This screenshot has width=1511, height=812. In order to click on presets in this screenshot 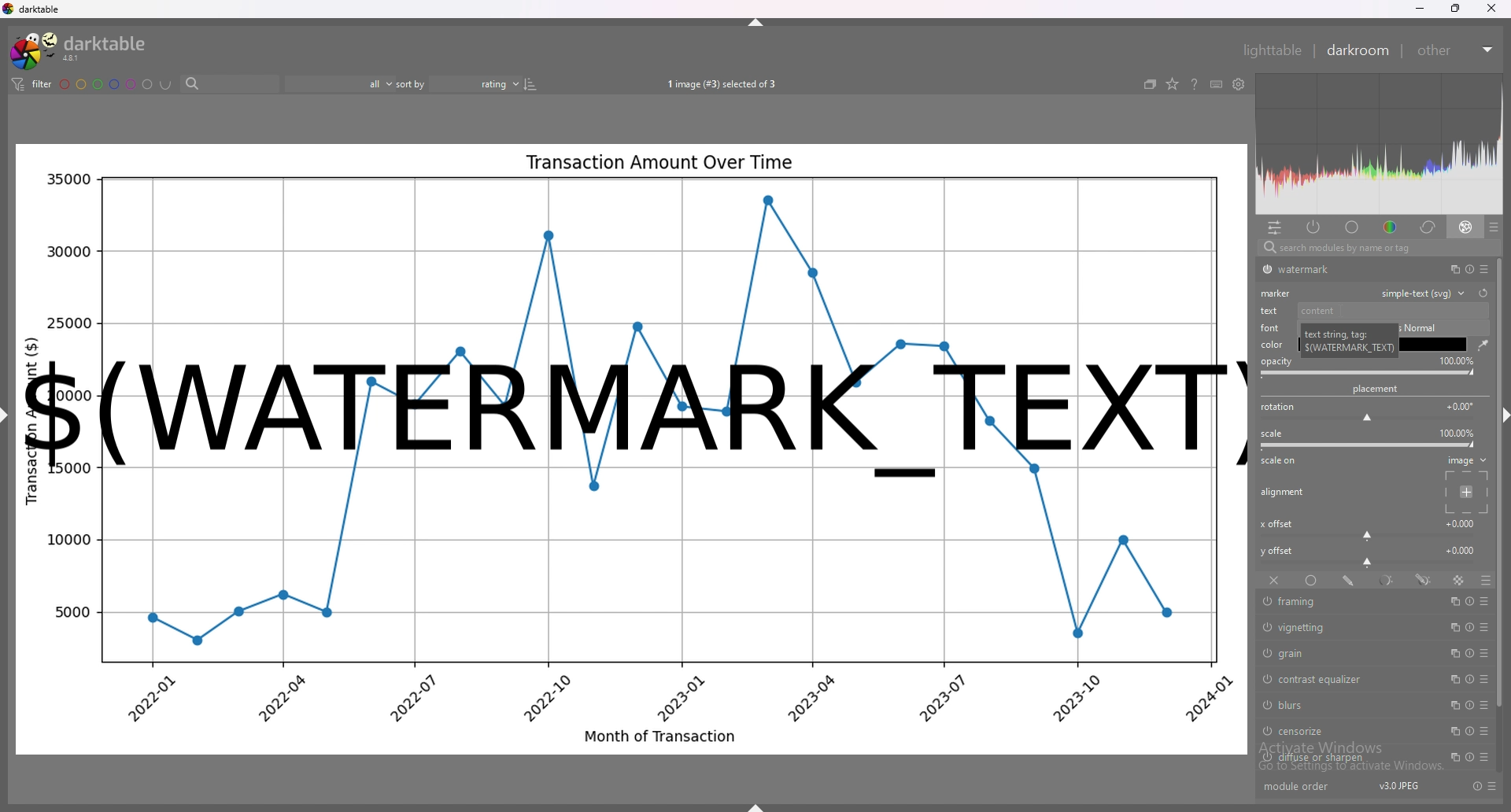, I will do `click(1492, 786)`.